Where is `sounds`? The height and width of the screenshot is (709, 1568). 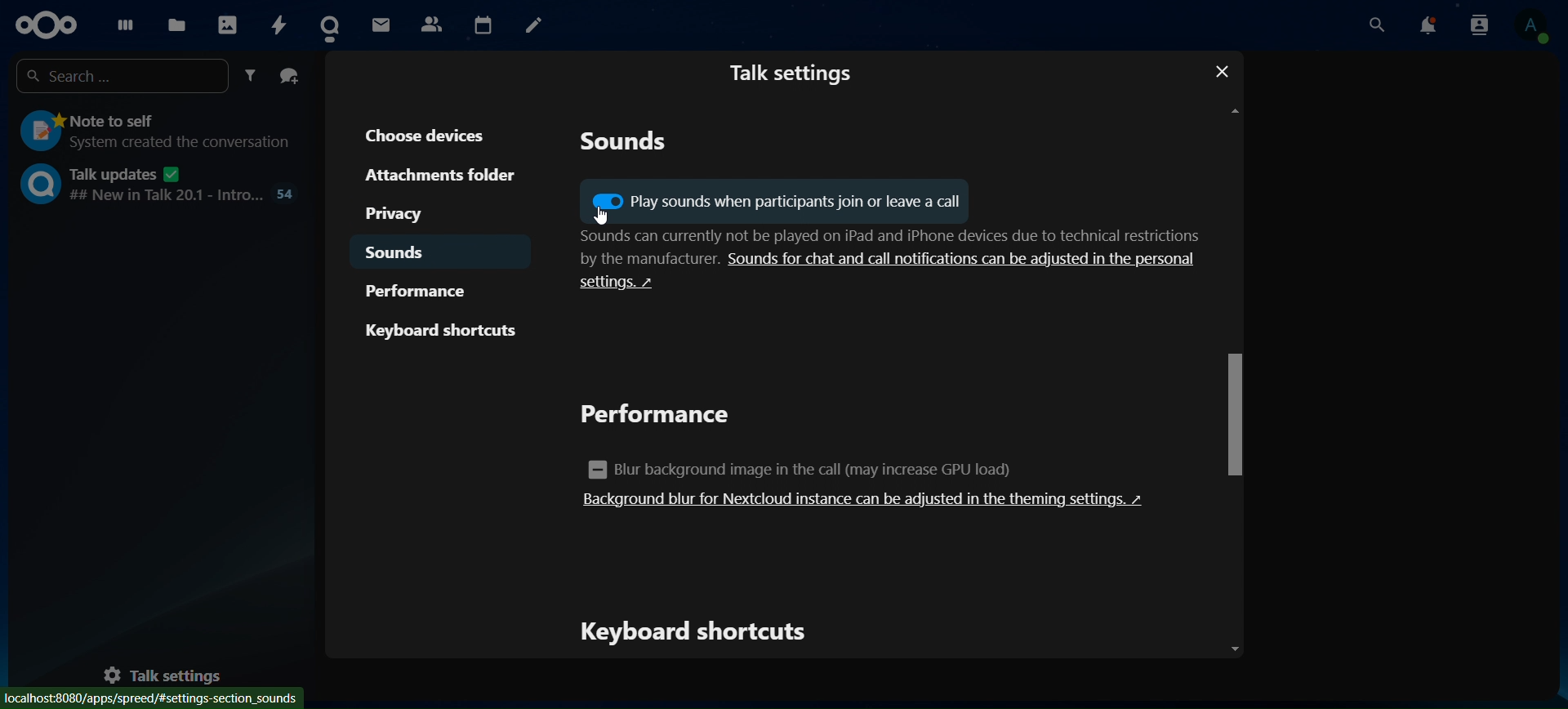 sounds is located at coordinates (403, 254).